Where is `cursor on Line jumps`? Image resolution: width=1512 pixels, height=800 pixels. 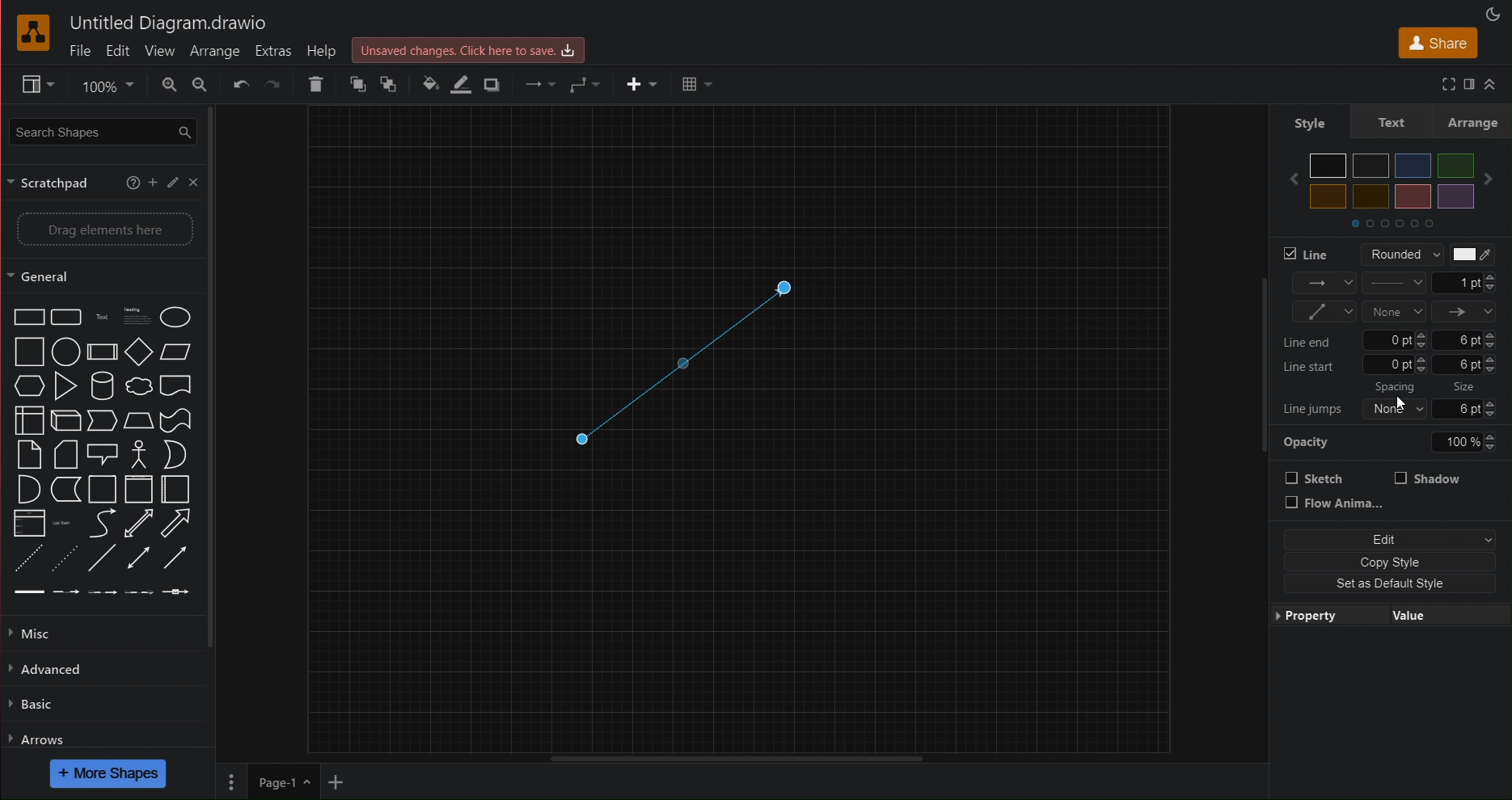
cursor on Line jumps is located at coordinates (1402, 402).